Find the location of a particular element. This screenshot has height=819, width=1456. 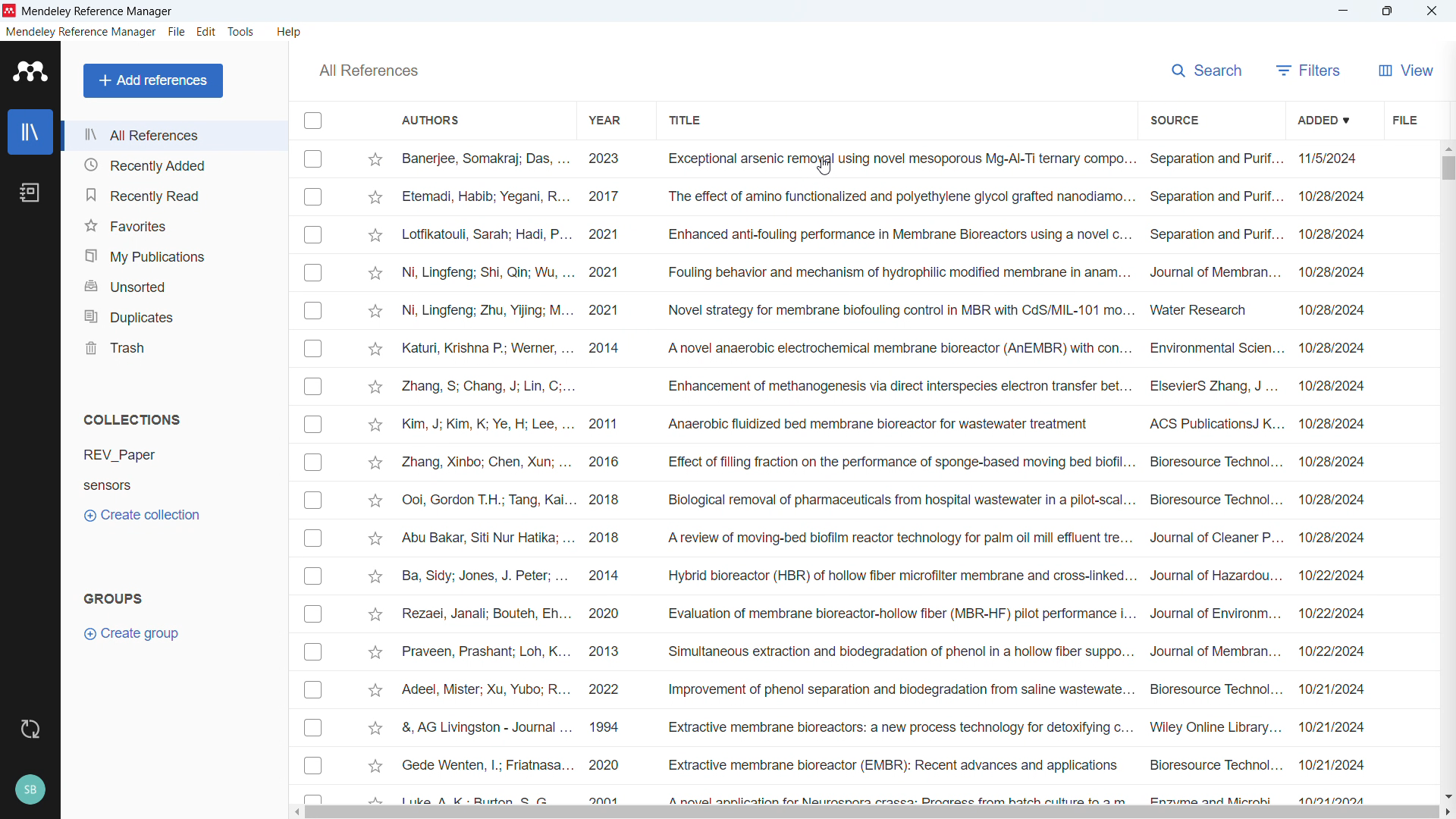

10/21/2024 is located at coordinates (1337, 762).